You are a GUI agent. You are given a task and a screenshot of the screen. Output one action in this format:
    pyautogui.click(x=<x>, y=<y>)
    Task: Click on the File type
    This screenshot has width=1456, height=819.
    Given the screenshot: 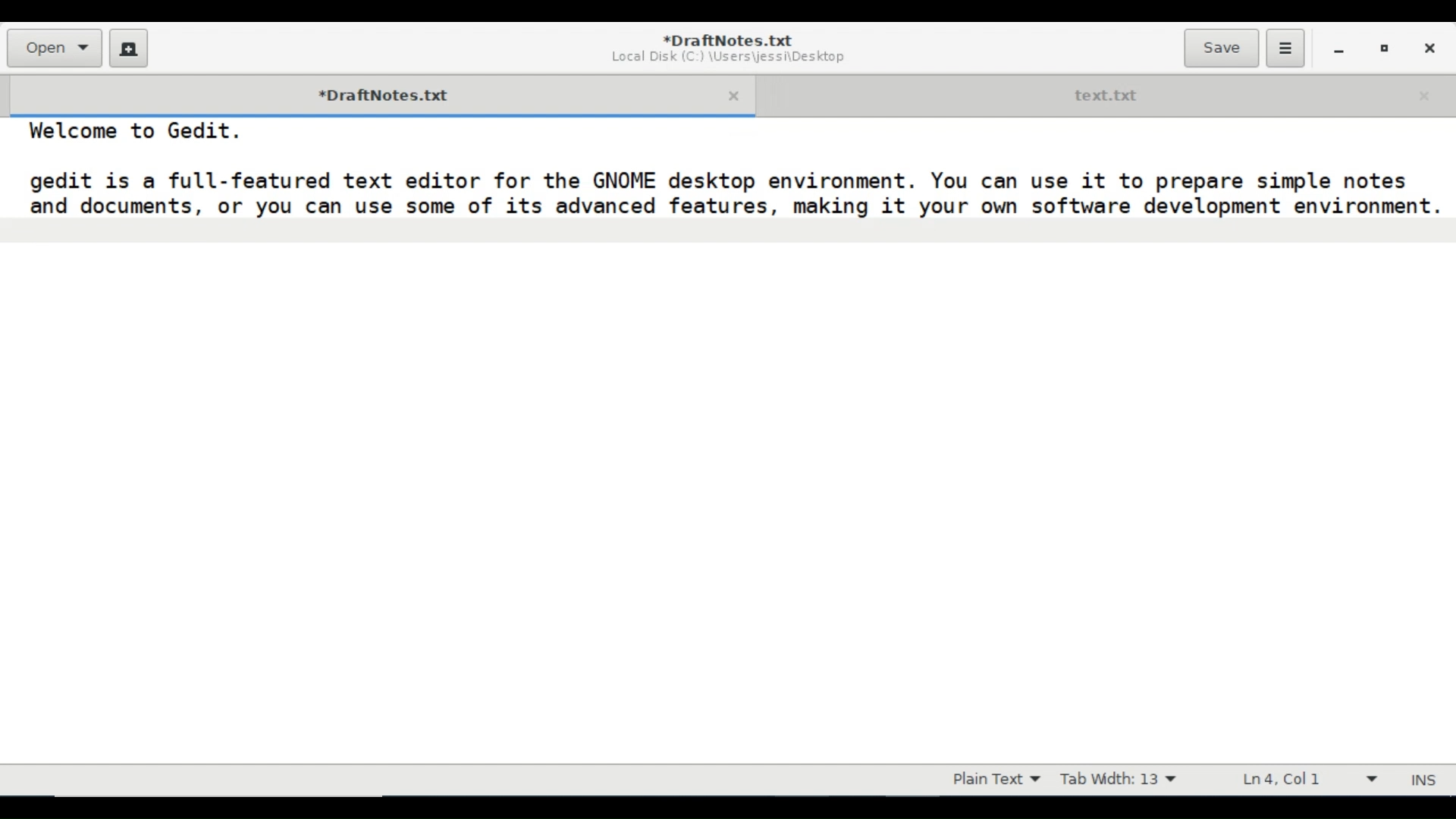 What is the action you would take?
    pyautogui.click(x=993, y=780)
    